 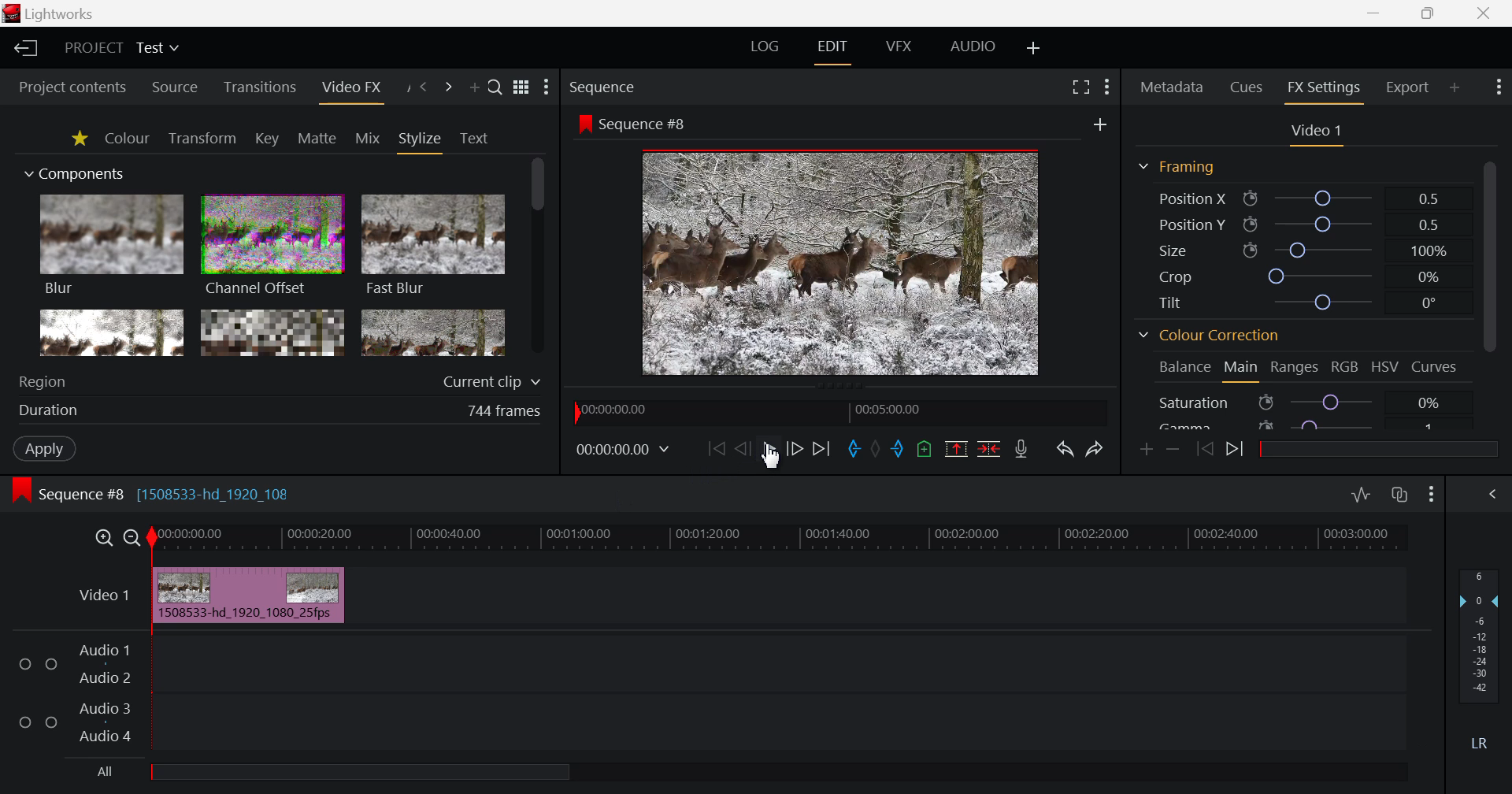 What do you see at coordinates (1314, 133) in the screenshot?
I see `Video Settings` at bounding box center [1314, 133].